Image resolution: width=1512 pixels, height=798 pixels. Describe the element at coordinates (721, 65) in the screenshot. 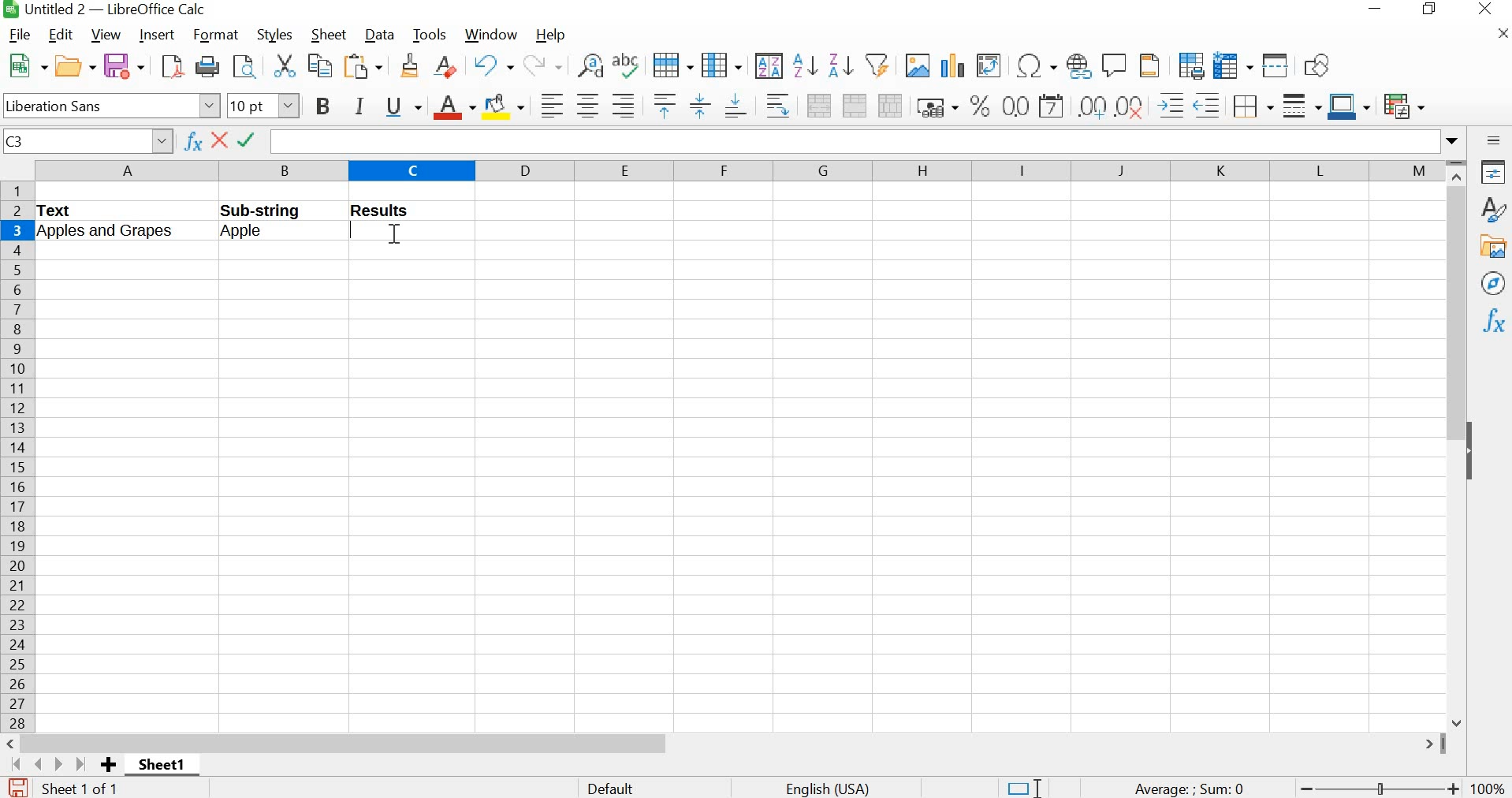

I see `column` at that location.